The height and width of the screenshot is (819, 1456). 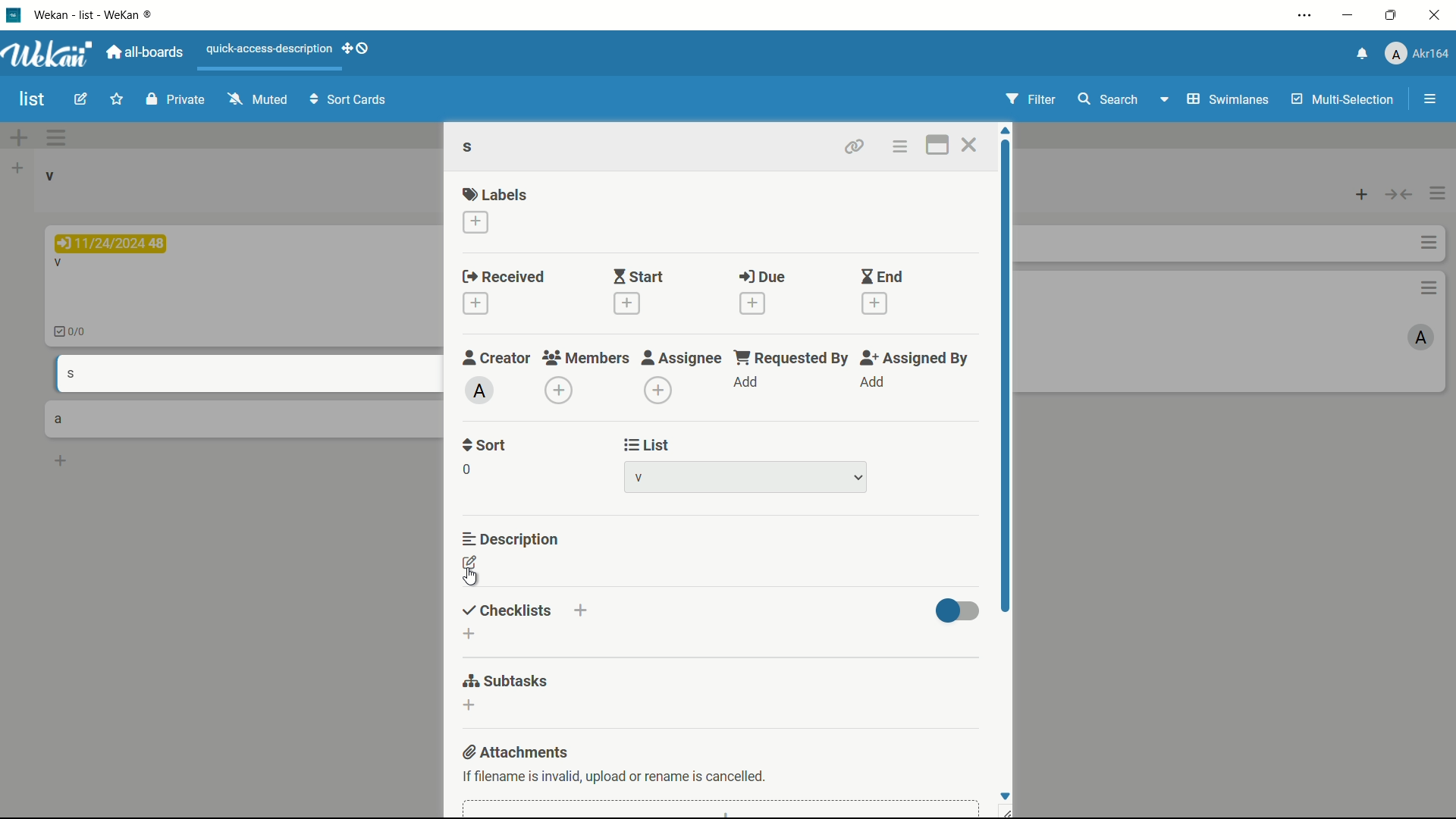 What do you see at coordinates (968, 144) in the screenshot?
I see `close card` at bounding box center [968, 144].